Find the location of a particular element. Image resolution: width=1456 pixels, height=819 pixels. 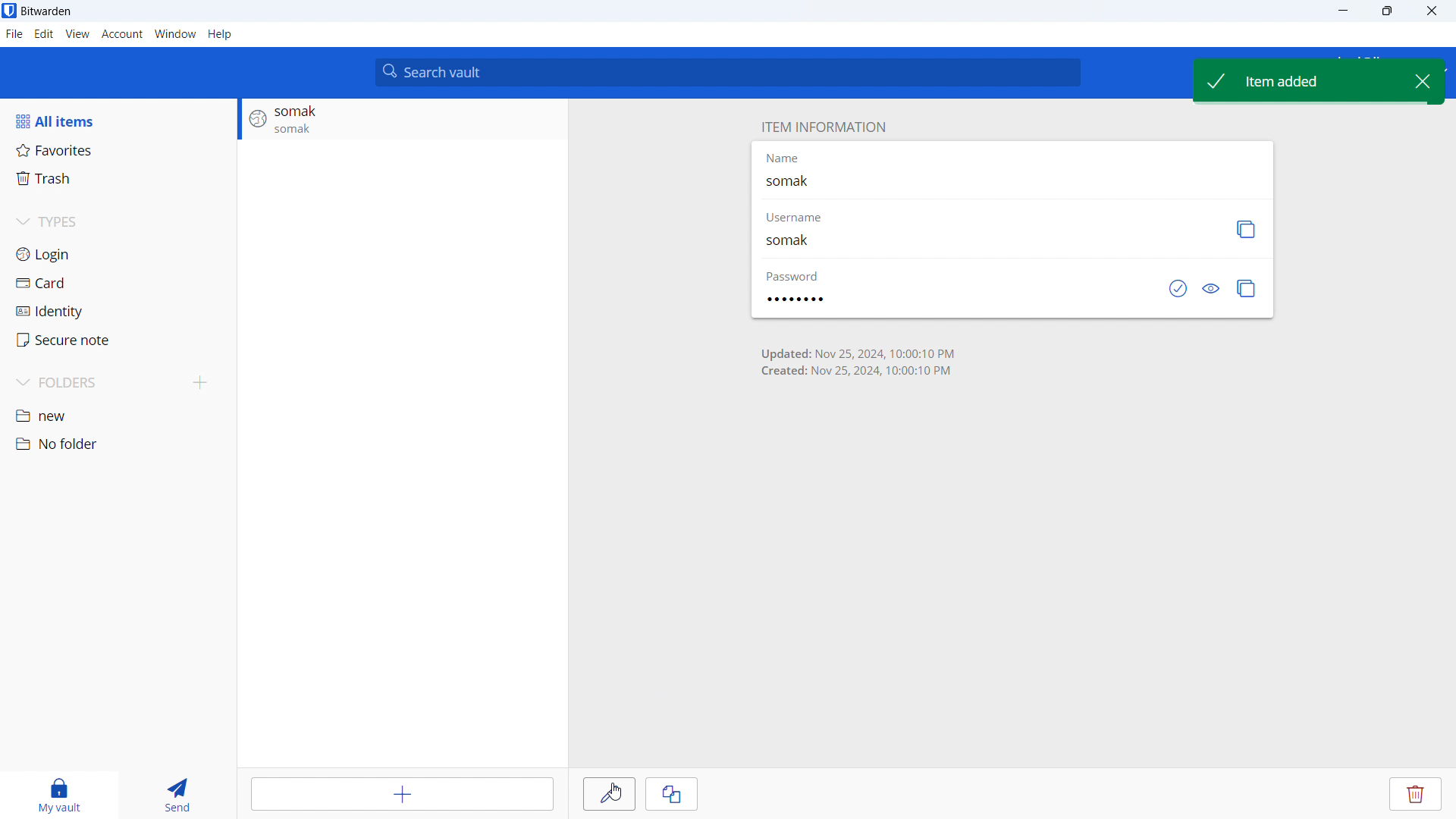

send is located at coordinates (175, 795).